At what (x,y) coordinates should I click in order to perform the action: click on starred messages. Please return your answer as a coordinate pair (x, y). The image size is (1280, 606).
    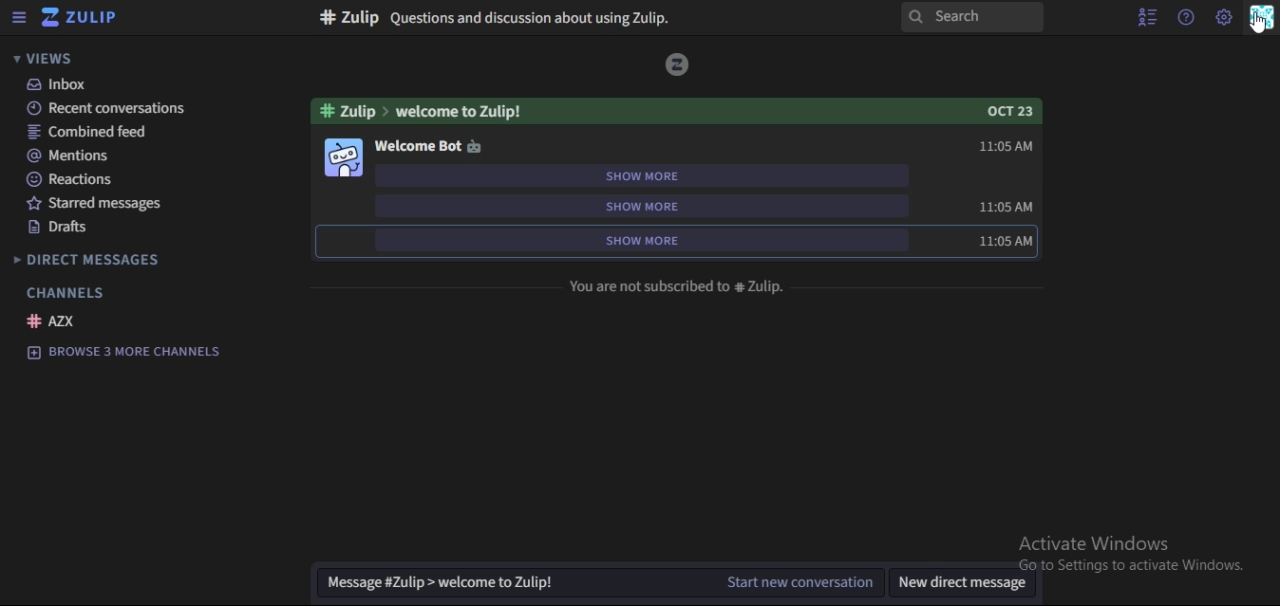
    Looking at the image, I should click on (100, 204).